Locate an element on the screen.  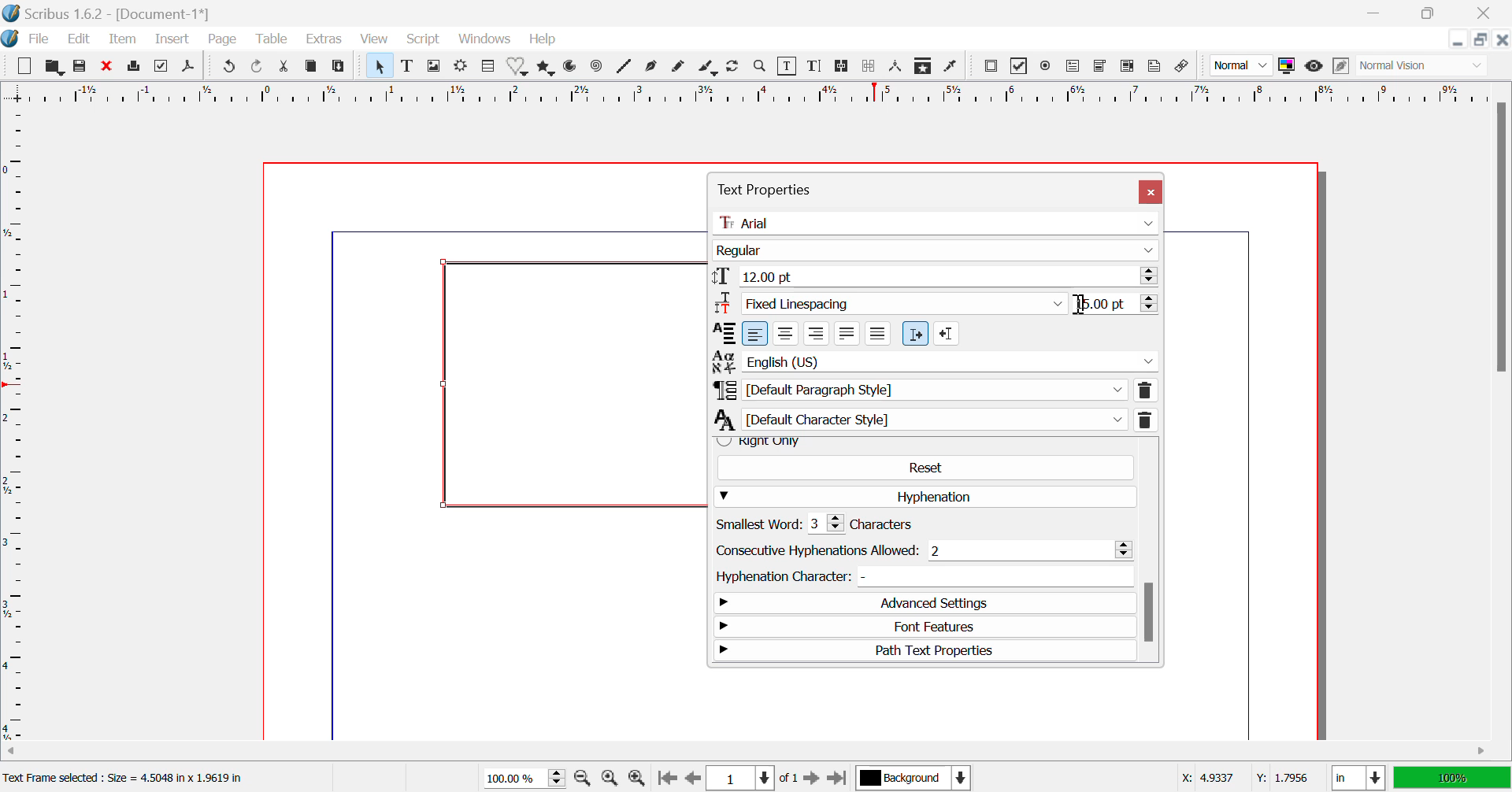
Scribus Logo is located at coordinates (11, 39).